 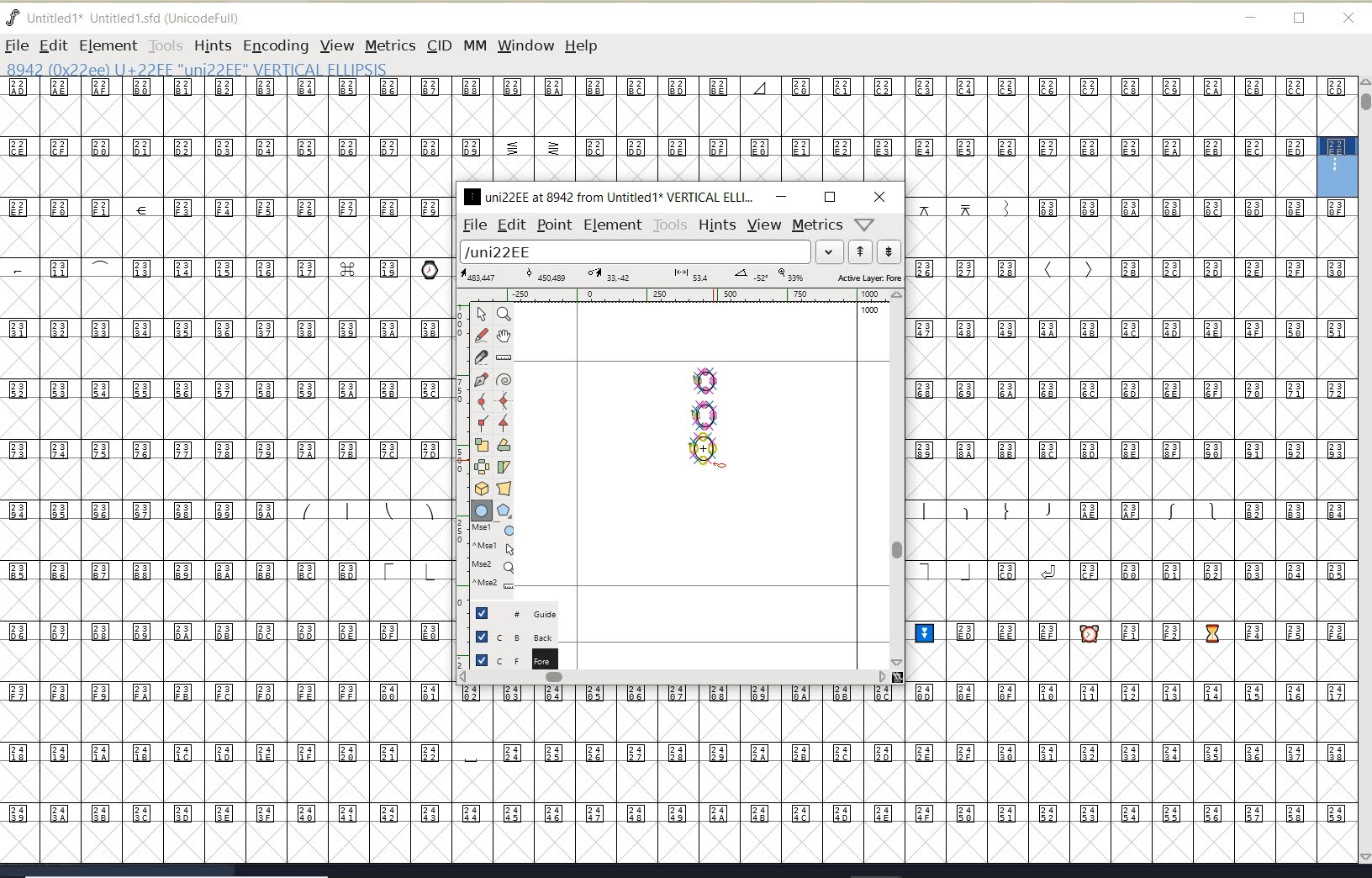 What do you see at coordinates (673, 679) in the screenshot?
I see `scrollbar` at bounding box center [673, 679].